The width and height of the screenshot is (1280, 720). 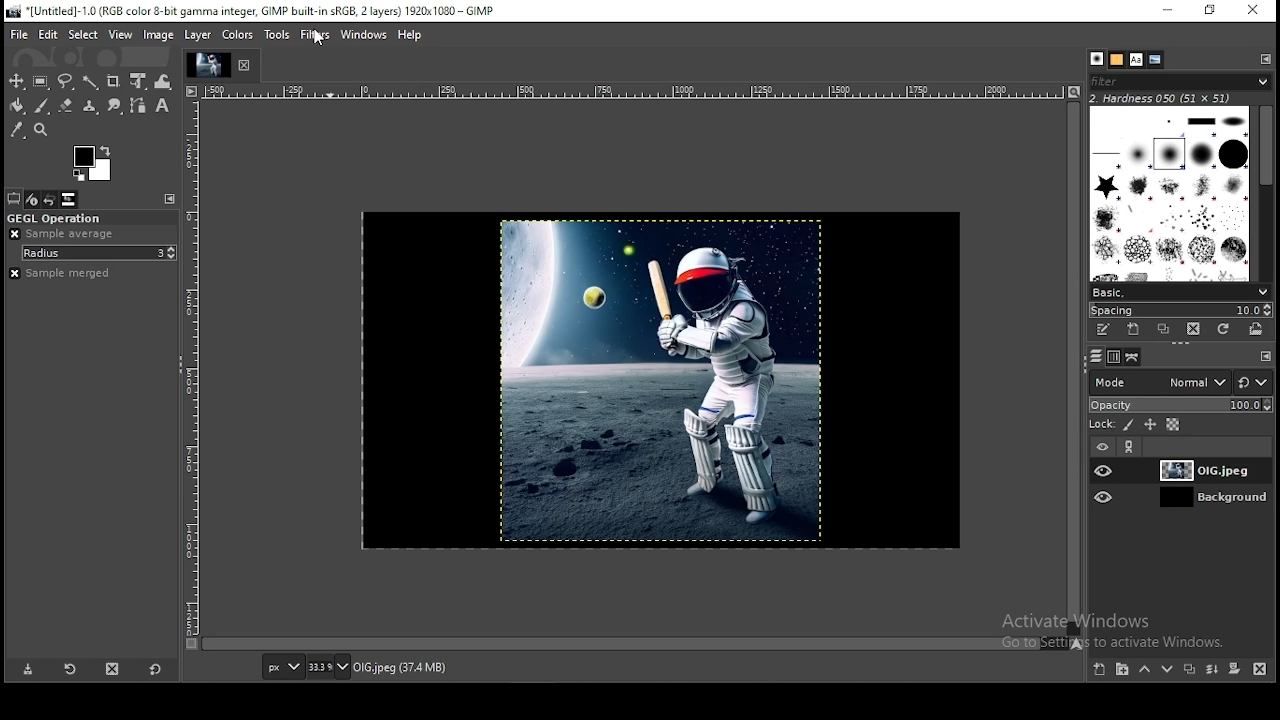 What do you see at coordinates (1181, 310) in the screenshot?
I see `spacing` at bounding box center [1181, 310].